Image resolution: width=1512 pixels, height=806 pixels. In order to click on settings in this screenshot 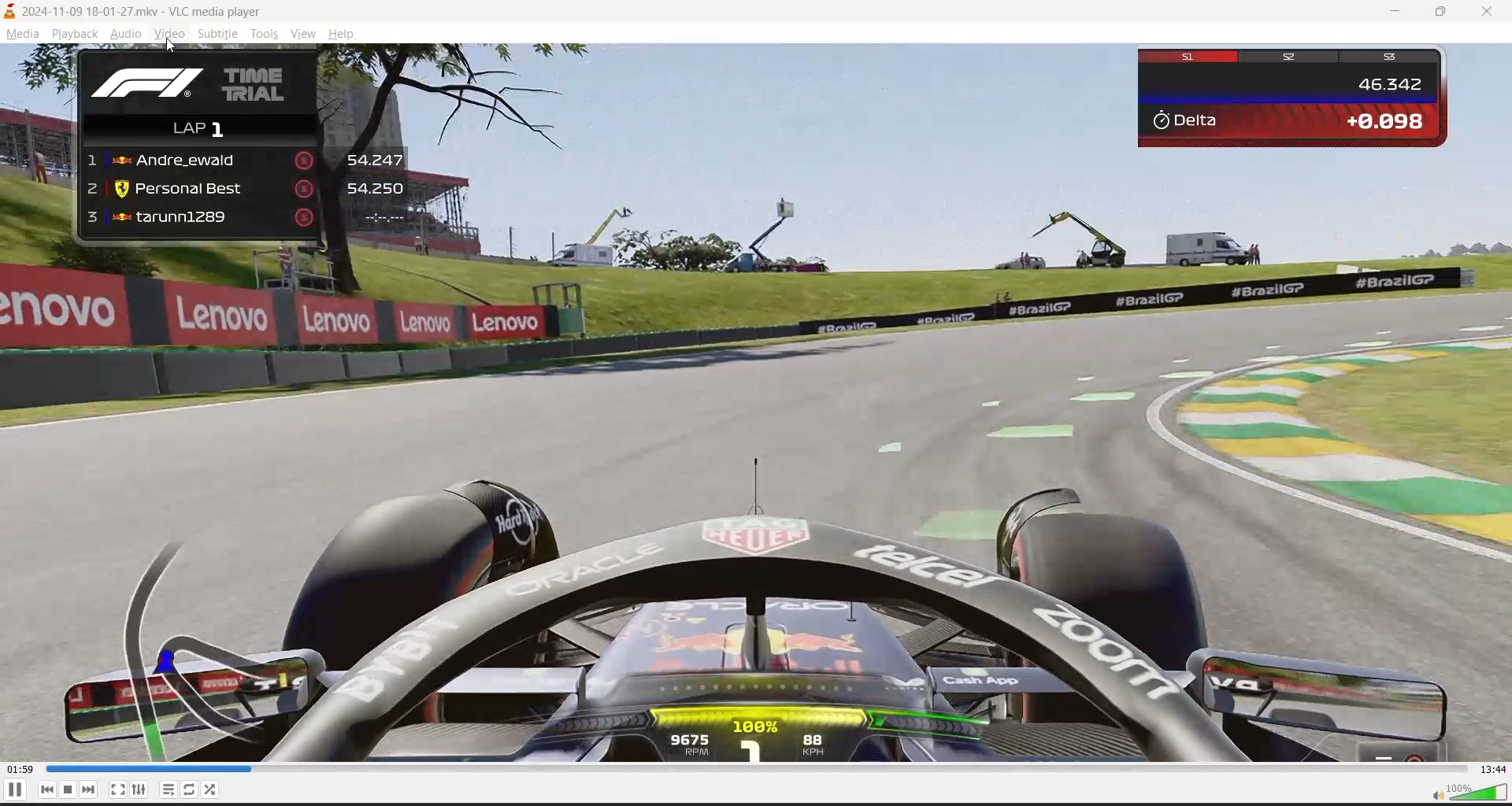, I will do `click(138, 789)`.